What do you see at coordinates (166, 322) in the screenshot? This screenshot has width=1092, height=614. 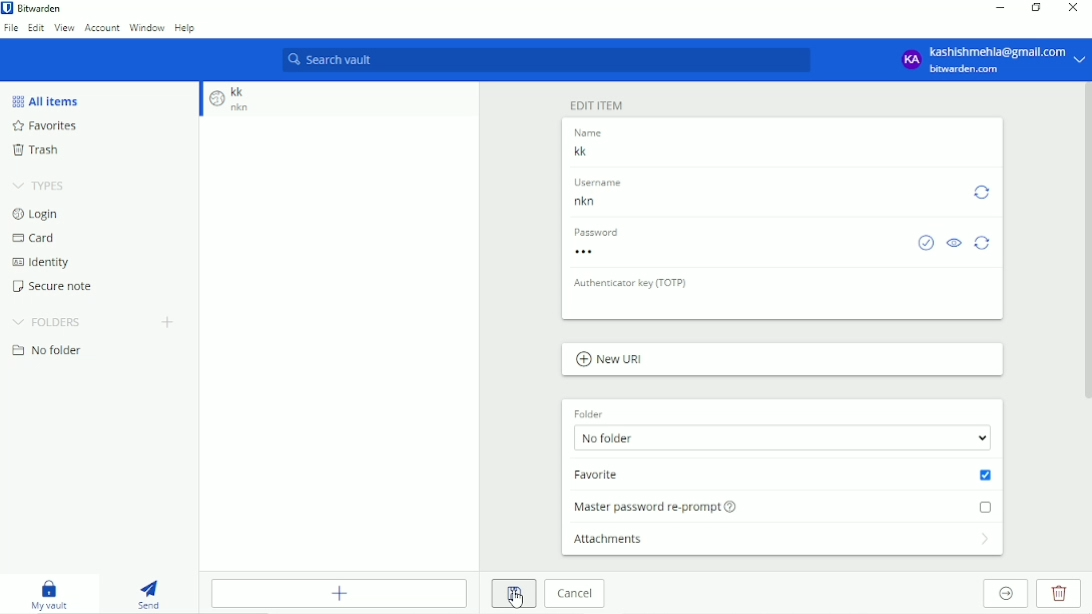 I see `Add folder` at bounding box center [166, 322].